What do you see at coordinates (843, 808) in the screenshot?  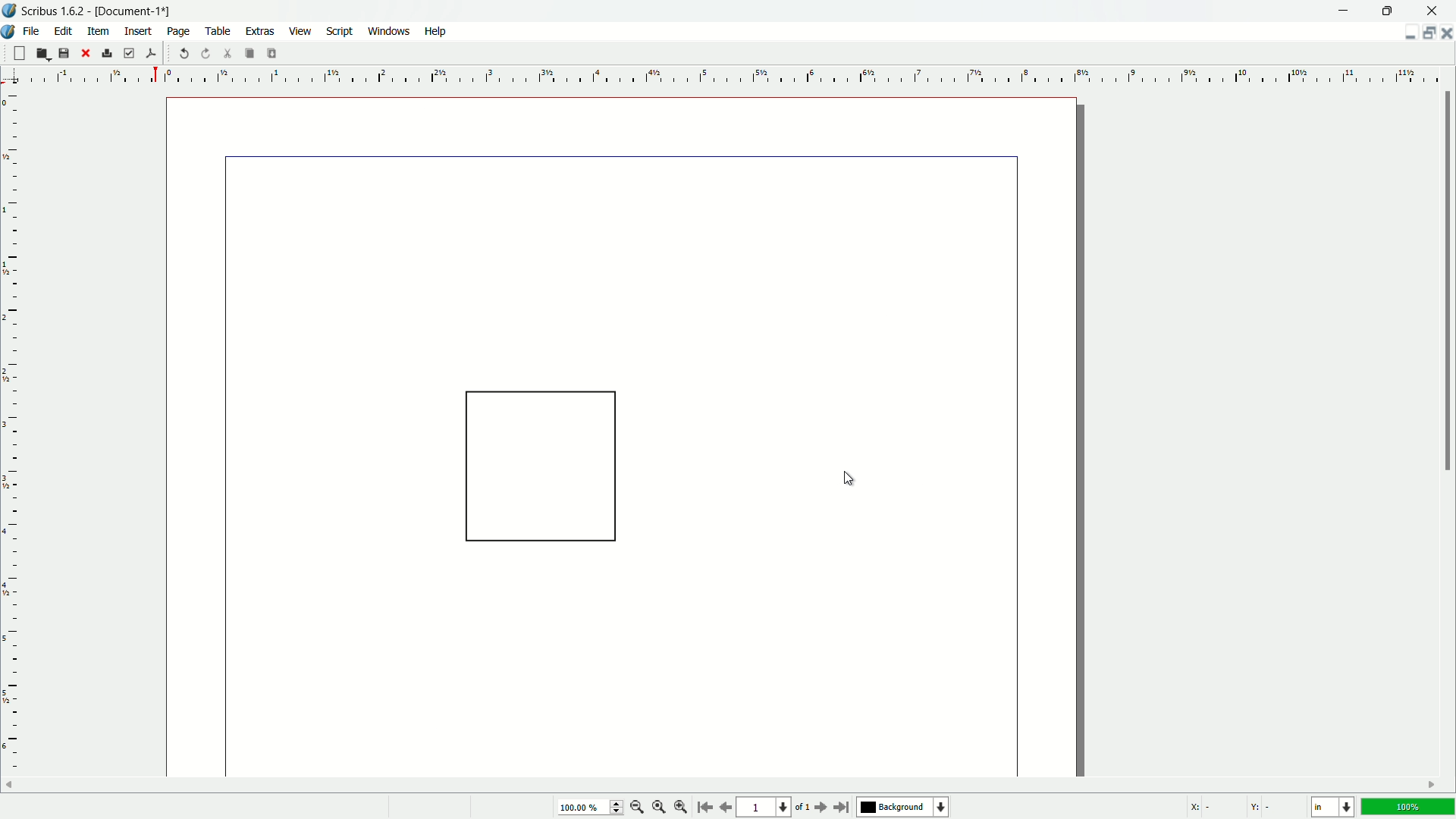 I see `go to last page` at bounding box center [843, 808].